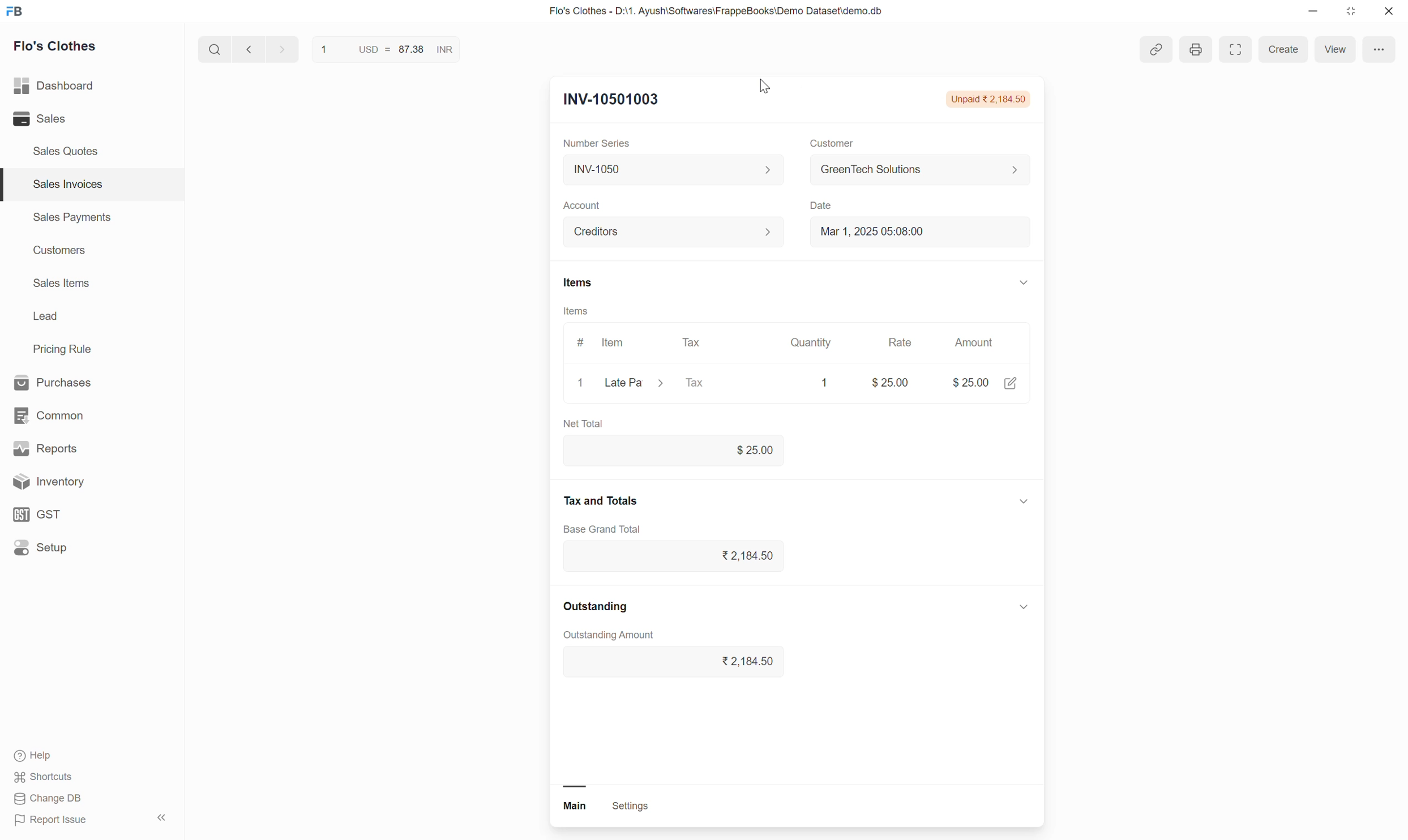 The image size is (1408, 840). What do you see at coordinates (1152, 50) in the screenshot?
I see `attach` at bounding box center [1152, 50].